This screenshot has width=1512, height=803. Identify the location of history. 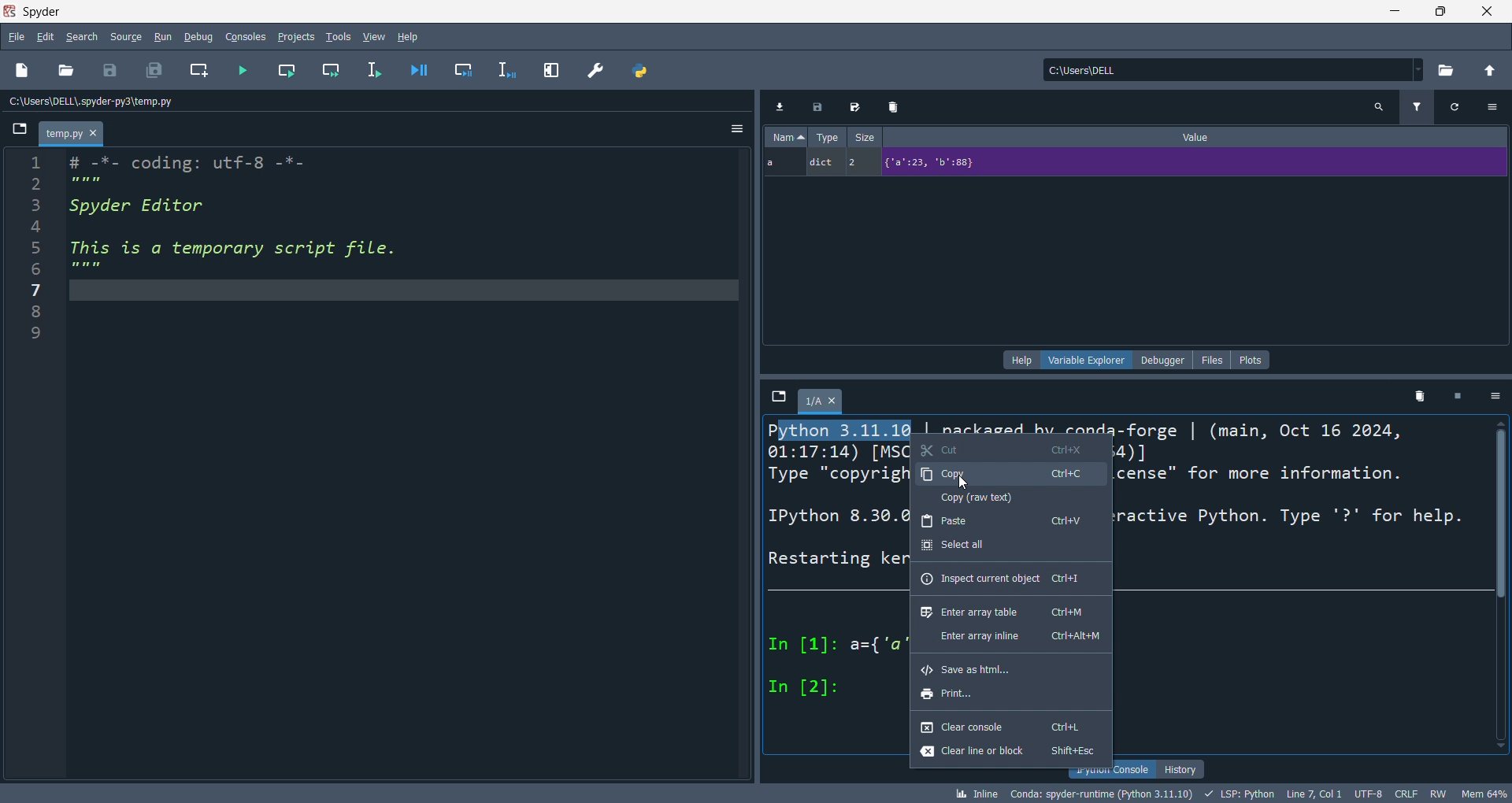
(1181, 768).